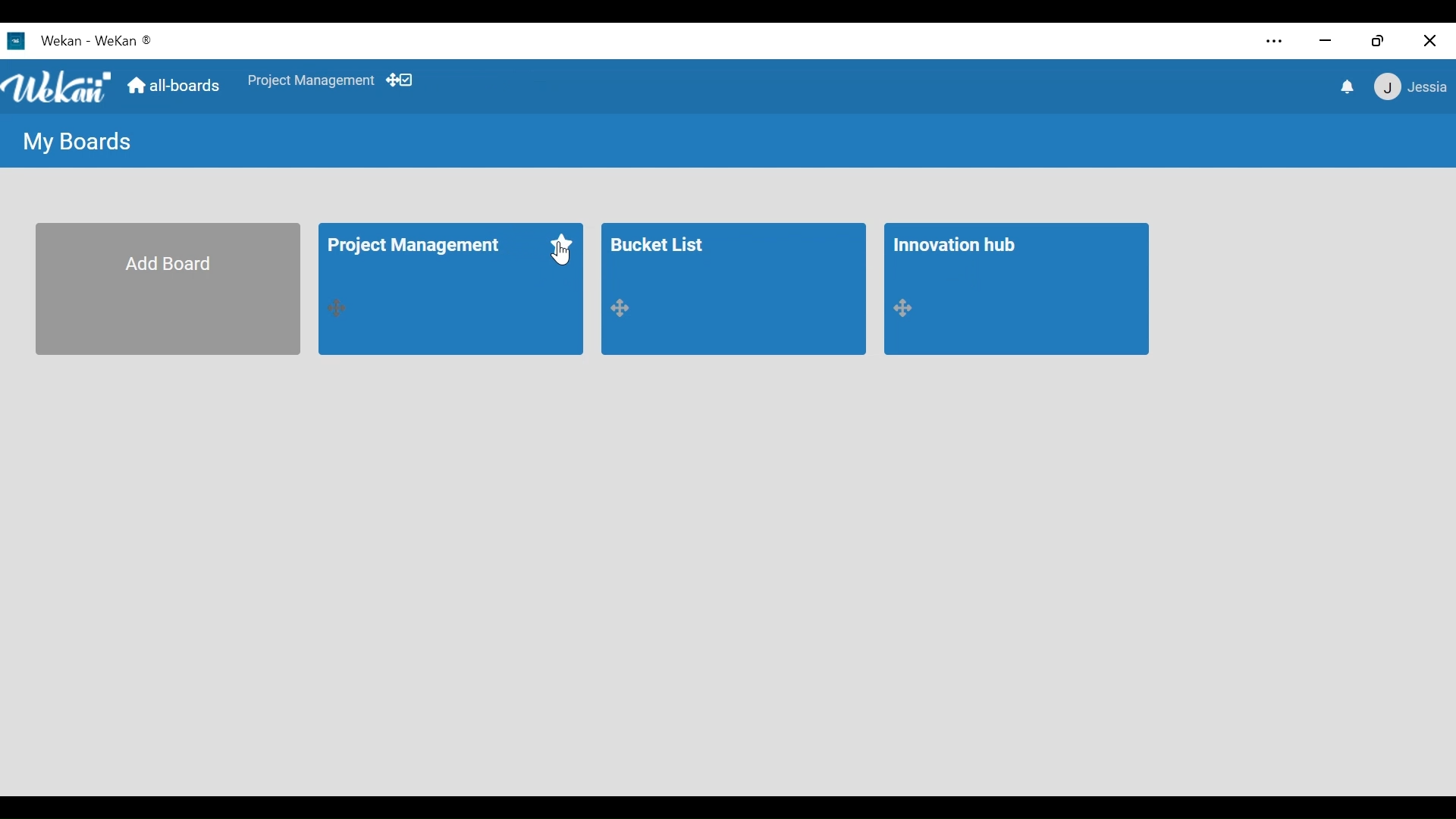 This screenshot has height=819, width=1456. I want to click on Board Title, so click(957, 245).